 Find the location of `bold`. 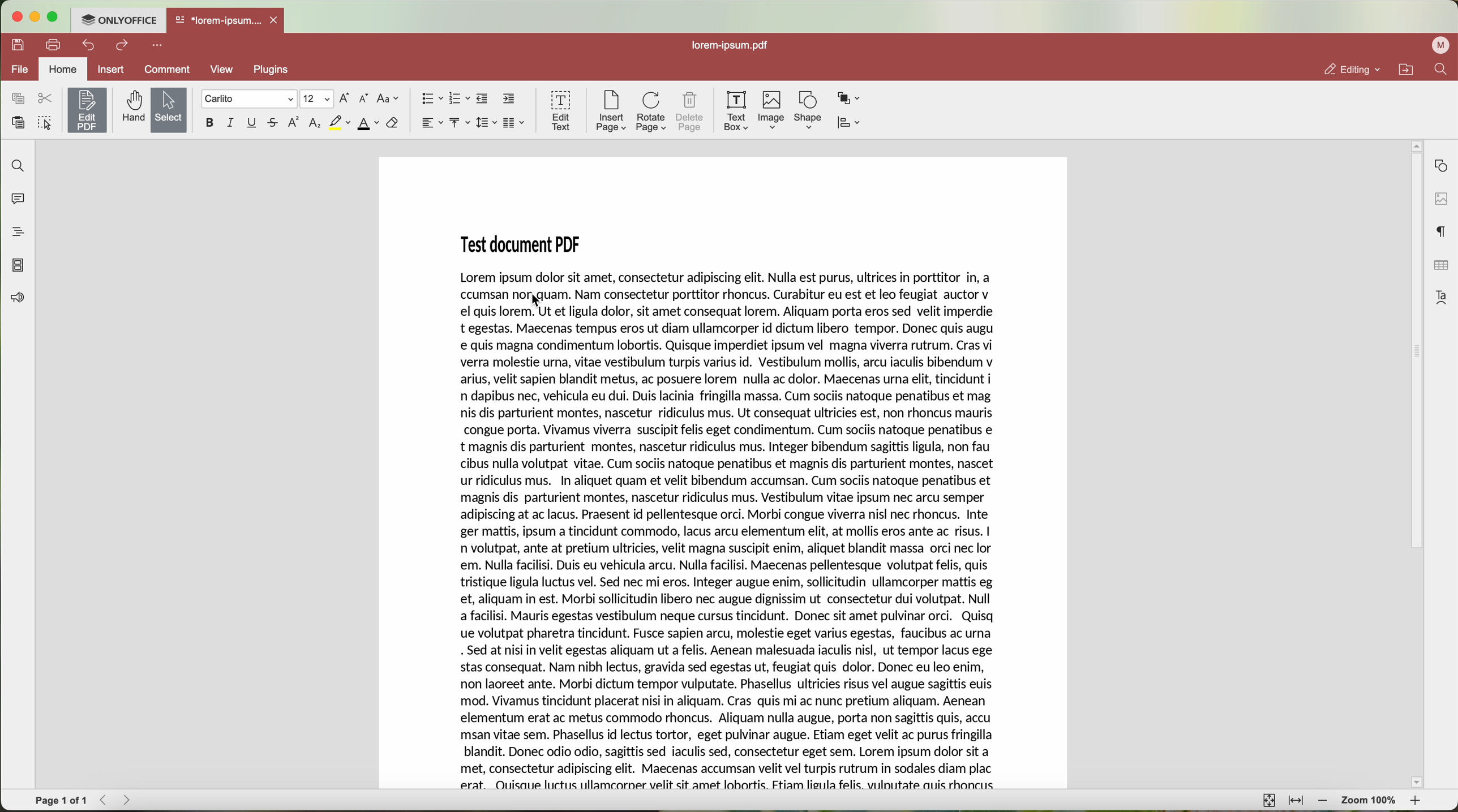

bold is located at coordinates (211, 123).